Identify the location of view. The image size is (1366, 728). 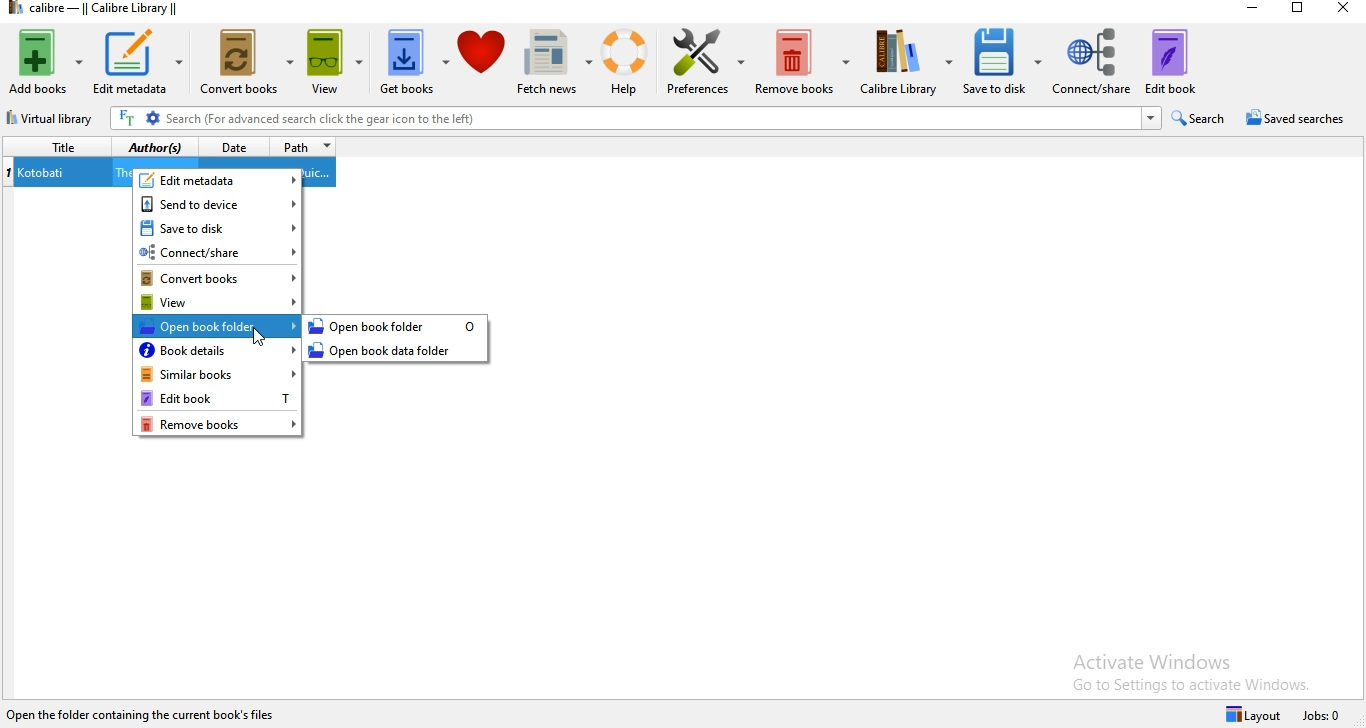
(218, 301).